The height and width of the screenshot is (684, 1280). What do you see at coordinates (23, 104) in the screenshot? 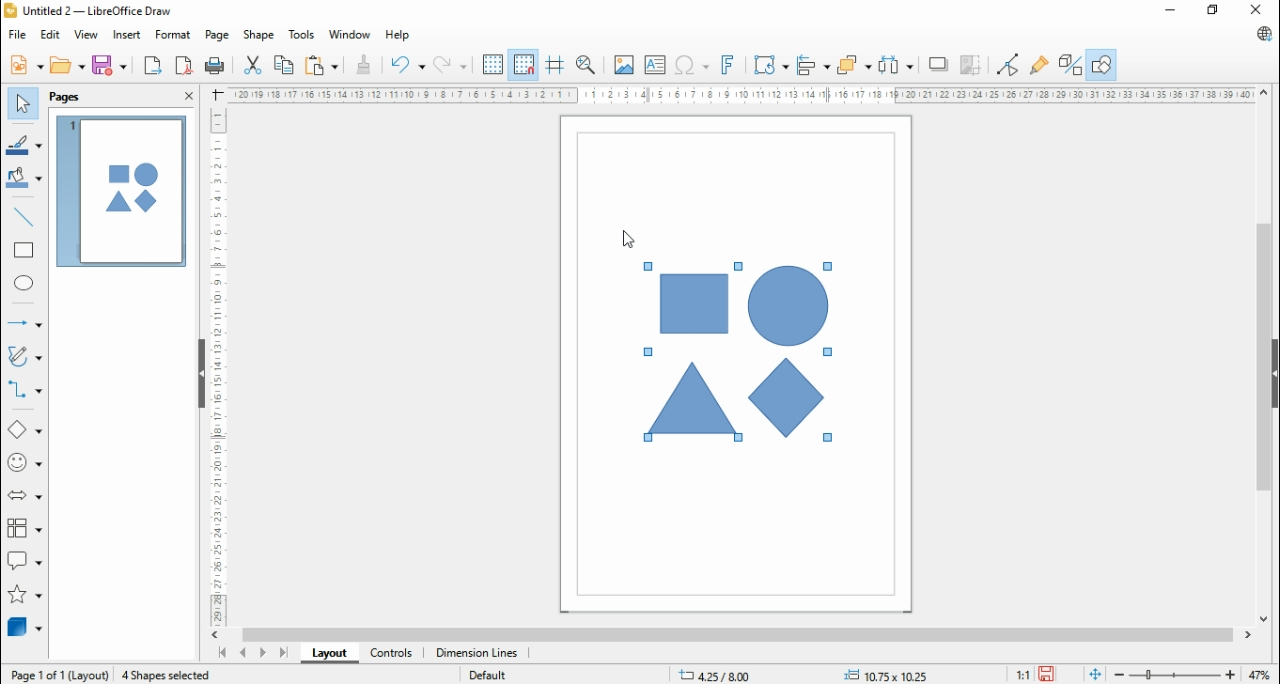
I see `select` at bounding box center [23, 104].